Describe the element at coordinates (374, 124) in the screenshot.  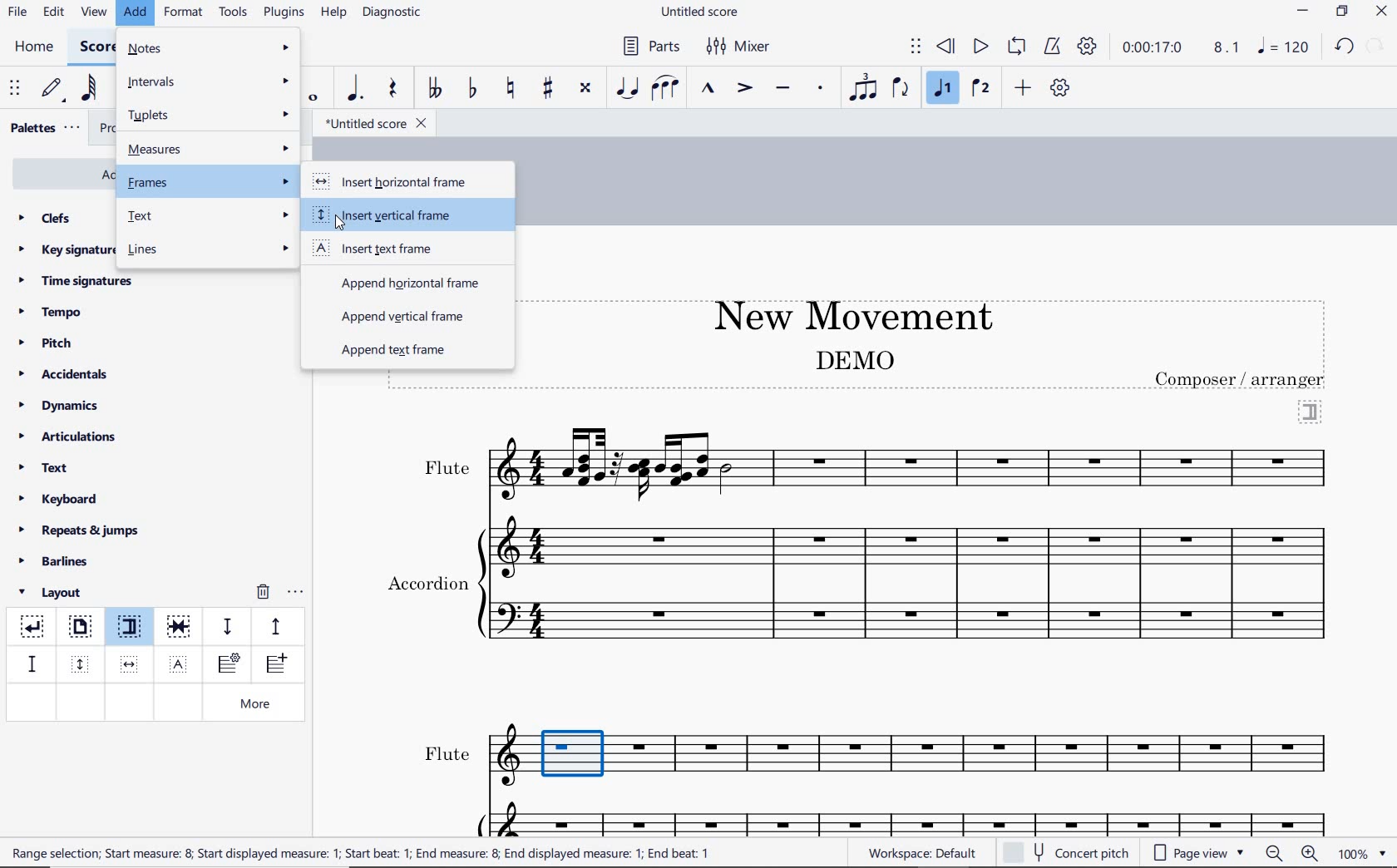
I see `file name` at that location.